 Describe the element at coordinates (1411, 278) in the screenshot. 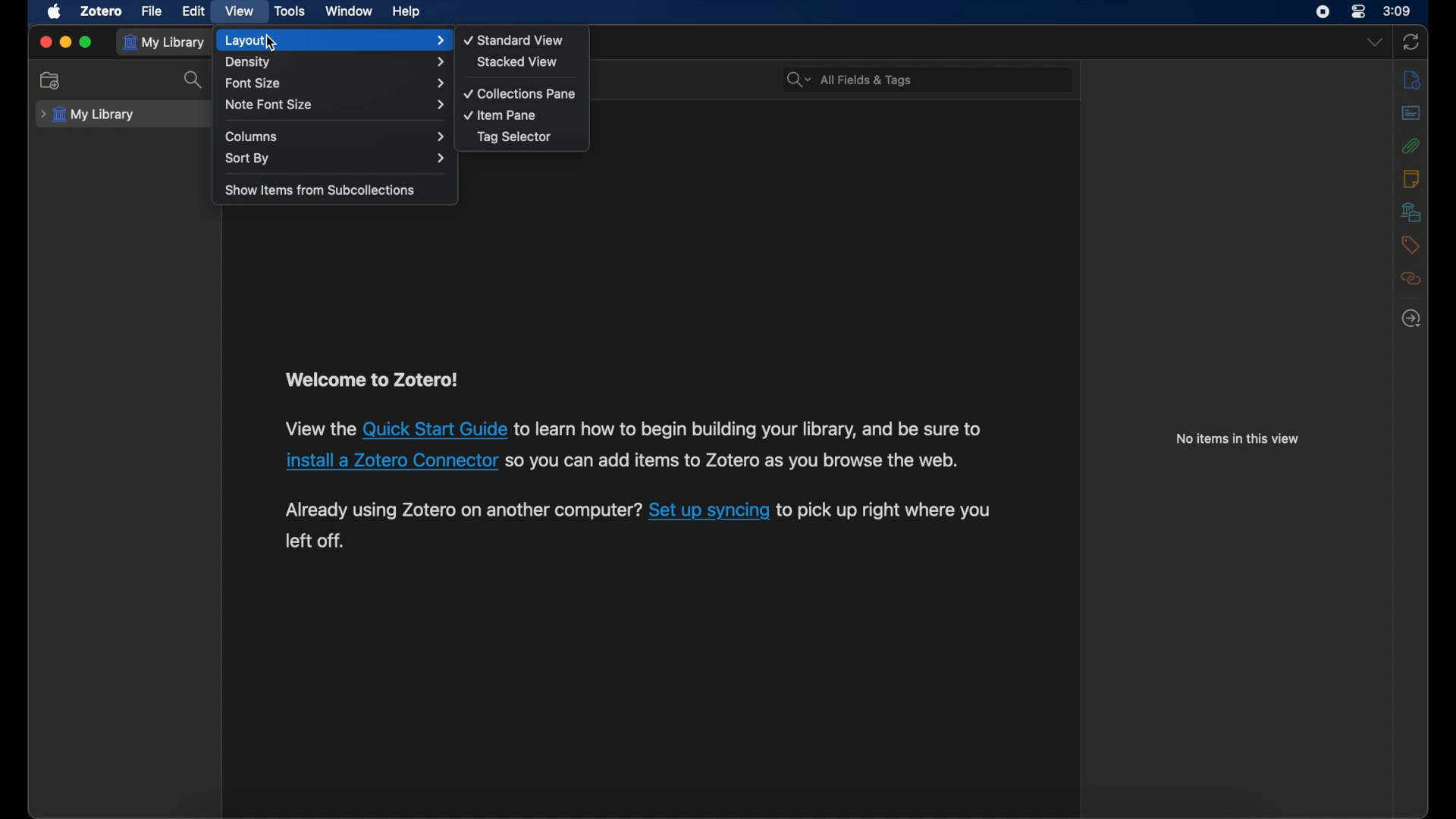

I see `related` at that location.